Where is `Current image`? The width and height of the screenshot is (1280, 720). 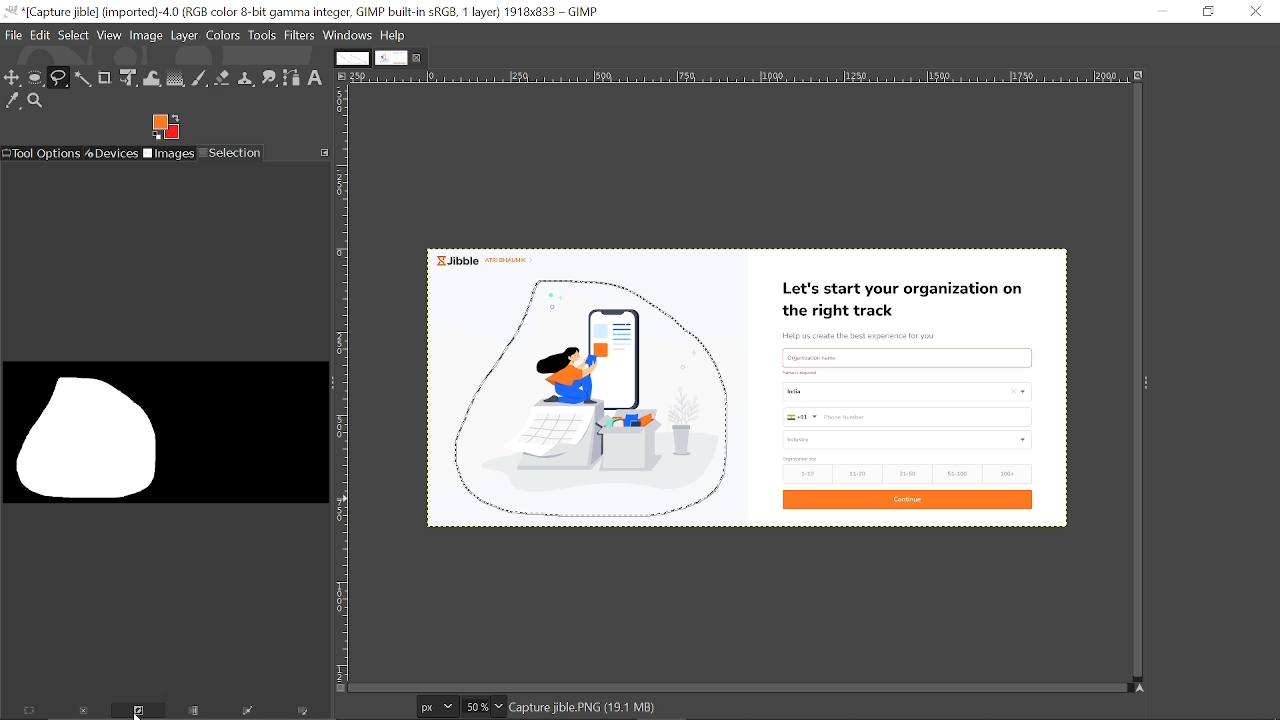 Current image is located at coordinates (909, 392).